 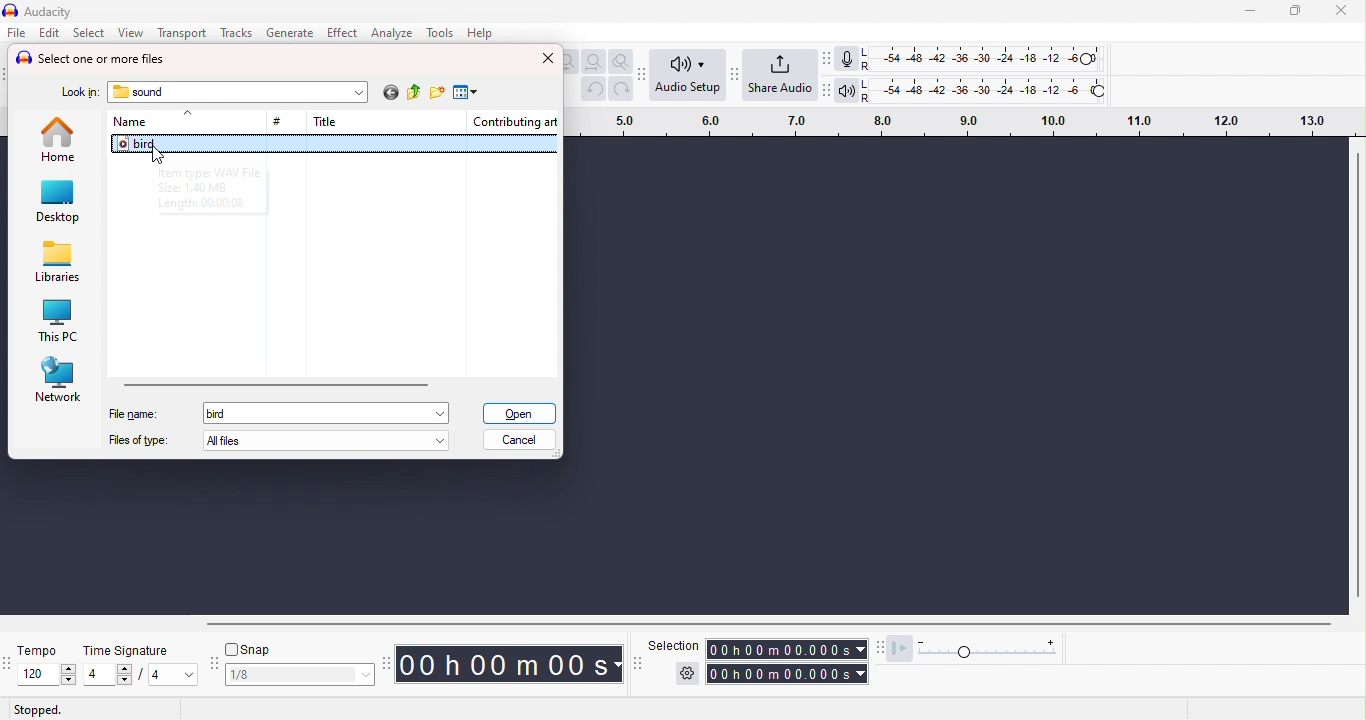 I want to click on analyze, so click(x=390, y=32).